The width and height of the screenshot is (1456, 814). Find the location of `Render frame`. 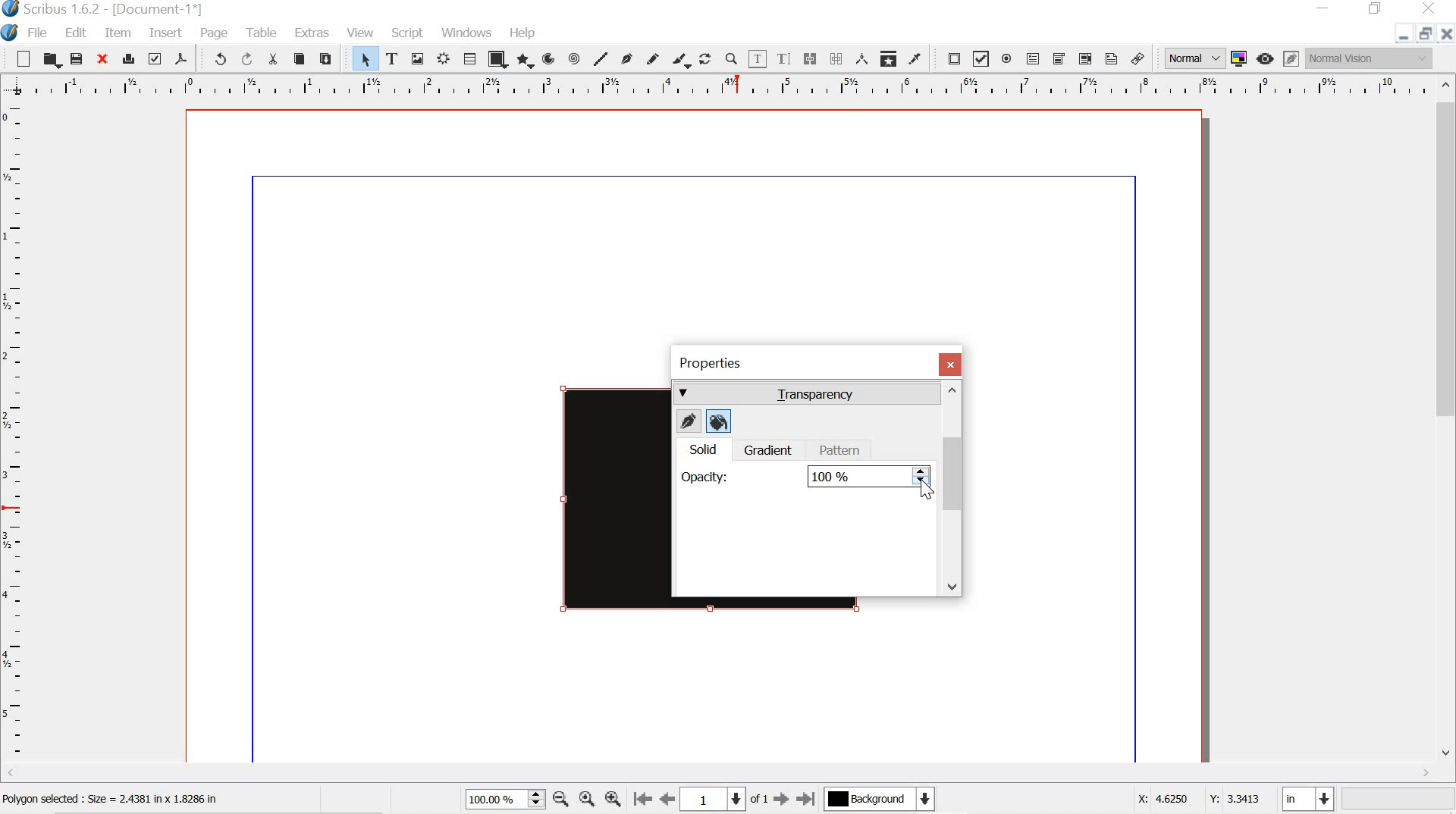

Render frame is located at coordinates (442, 59).